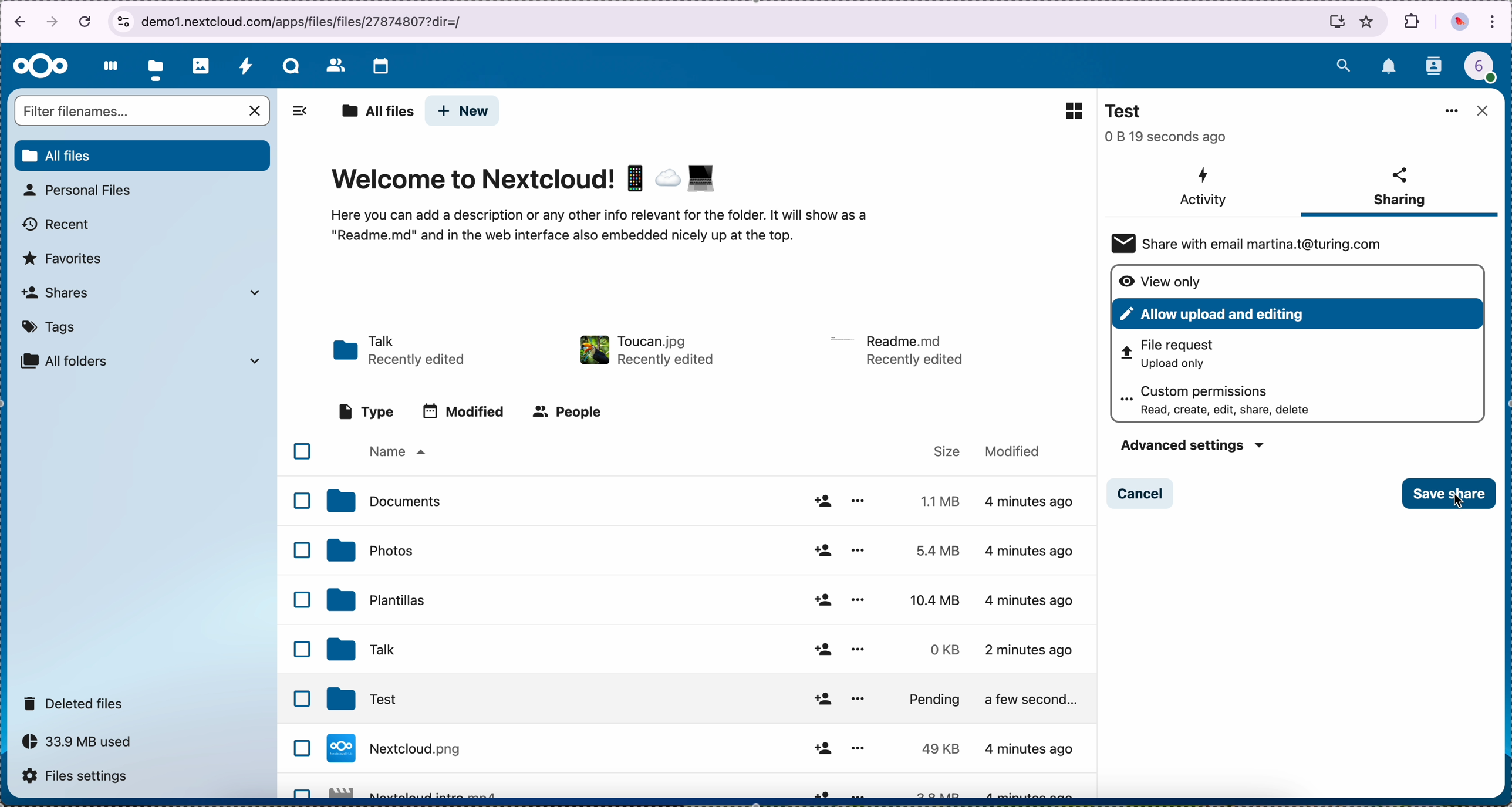 Image resolution: width=1512 pixels, height=807 pixels. What do you see at coordinates (1493, 23) in the screenshot?
I see `customize and control Google Chrome` at bounding box center [1493, 23].